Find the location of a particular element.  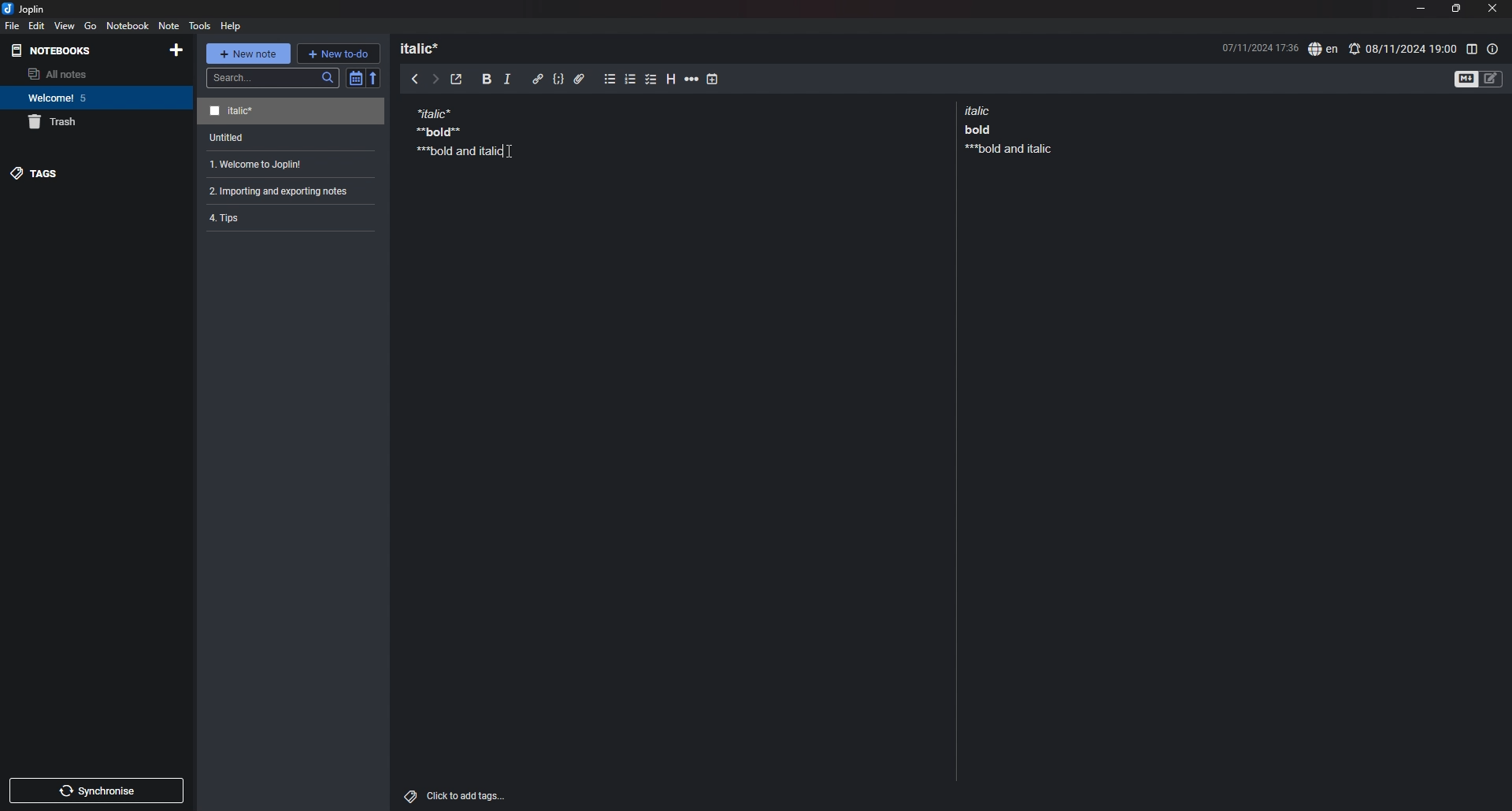

bold is located at coordinates (487, 80).